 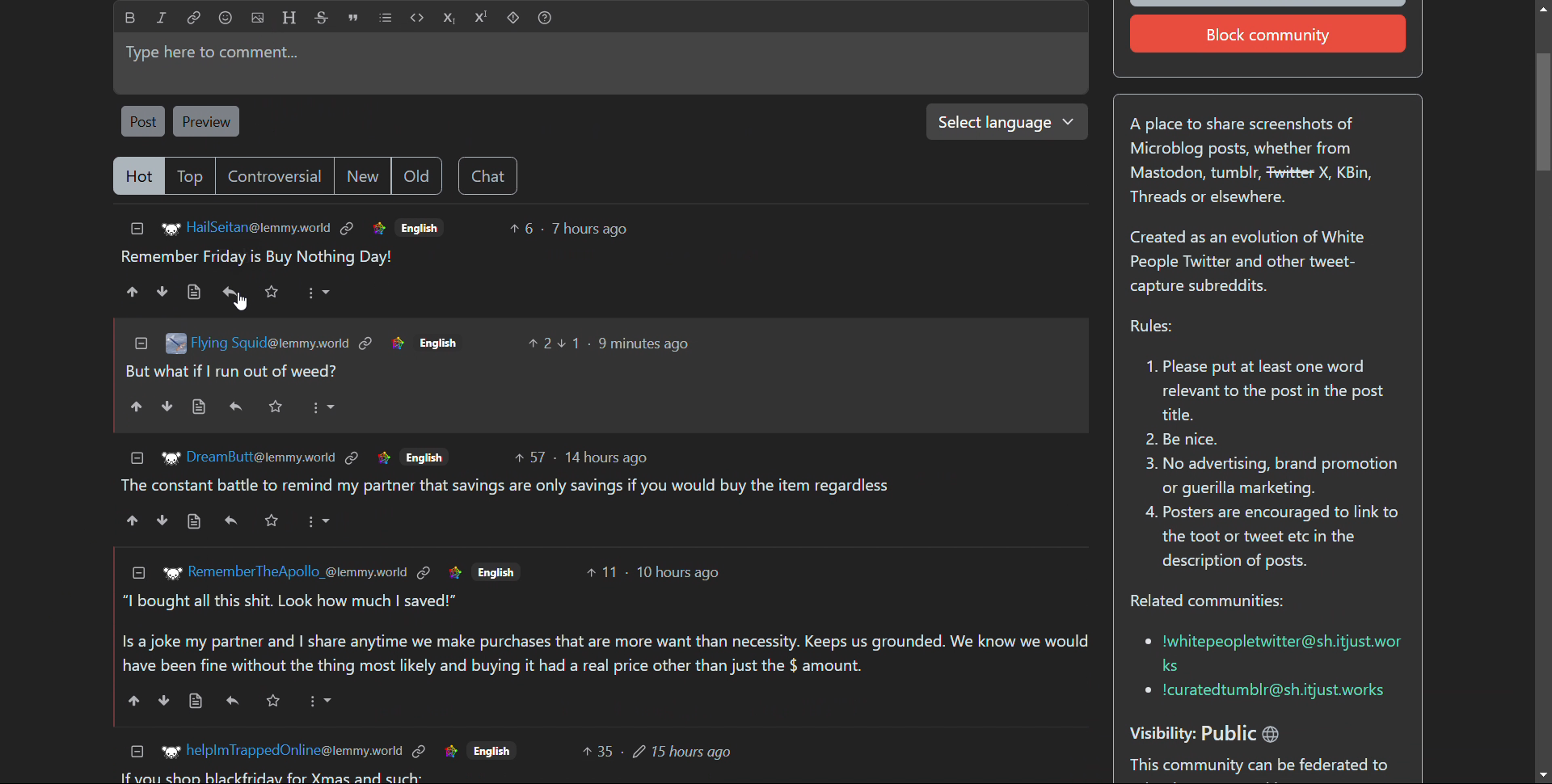 I want to click on emoji, so click(x=225, y=18).